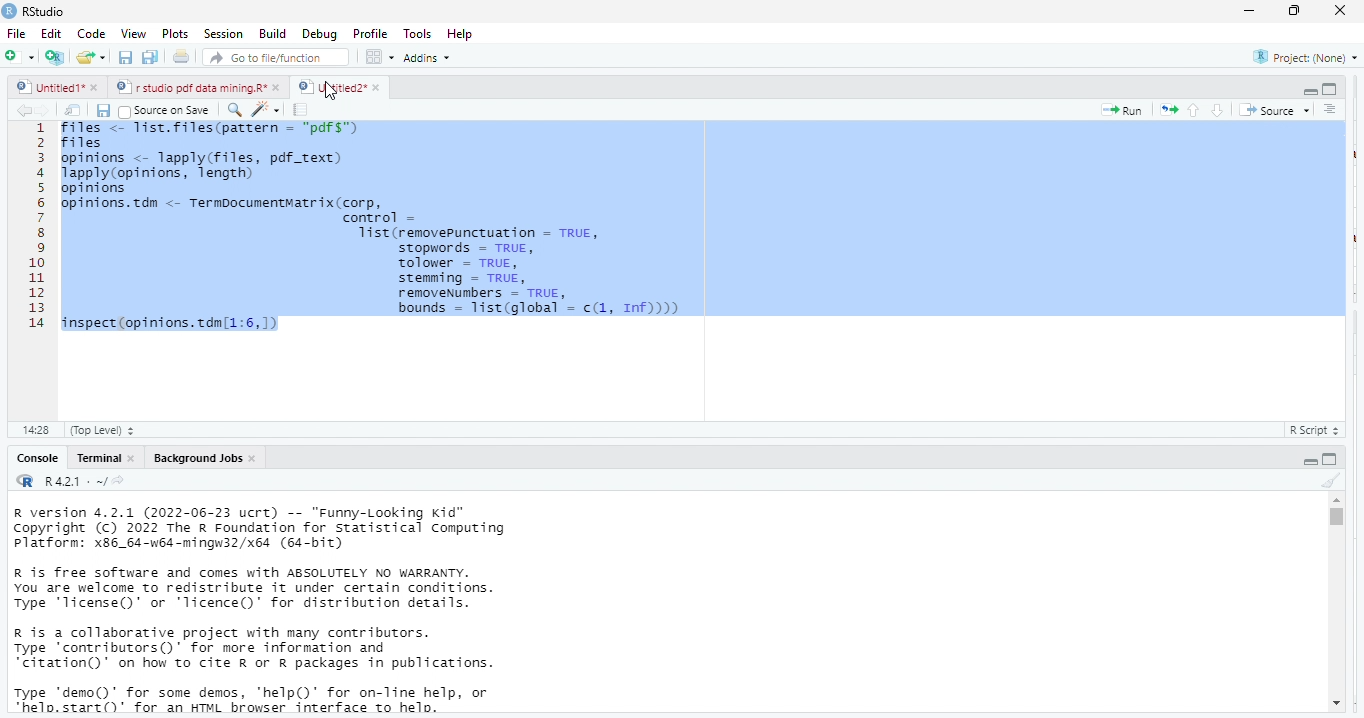  What do you see at coordinates (265, 108) in the screenshot?
I see `code tools` at bounding box center [265, 108].